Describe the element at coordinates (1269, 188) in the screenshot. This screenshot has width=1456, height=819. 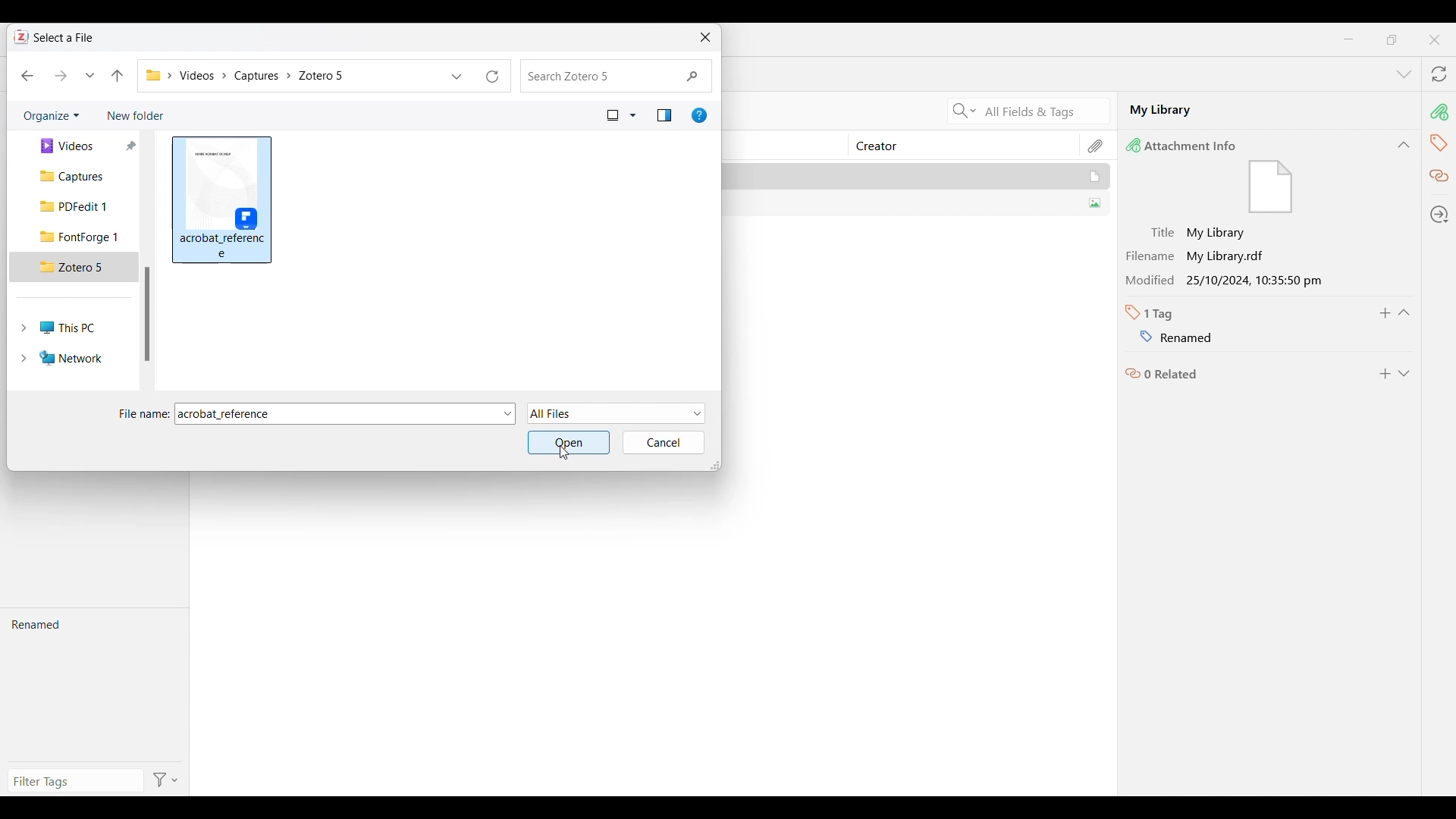
I see `file icon` at that location.